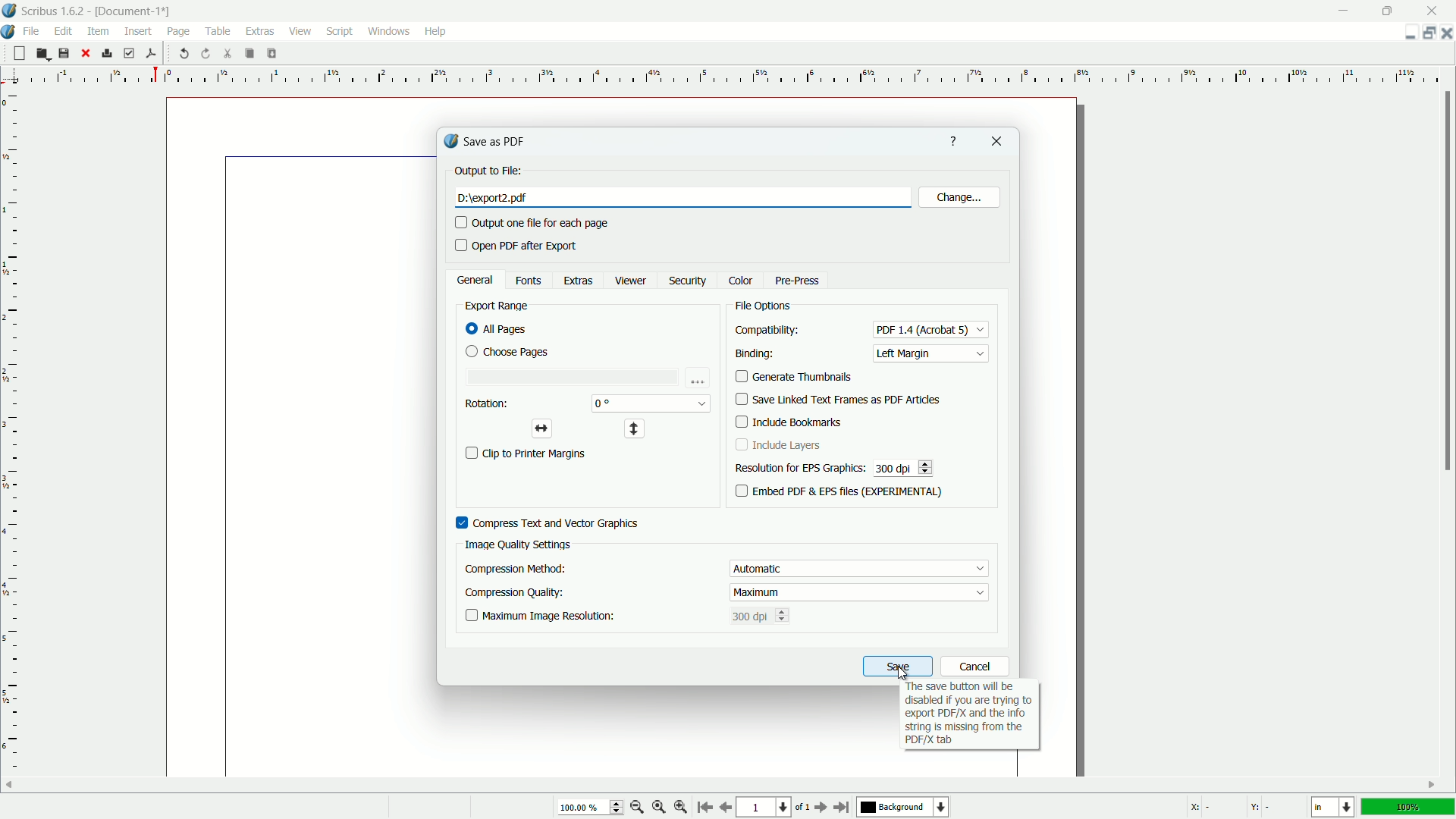  I want to click on save as pdf, so click(151, 54).